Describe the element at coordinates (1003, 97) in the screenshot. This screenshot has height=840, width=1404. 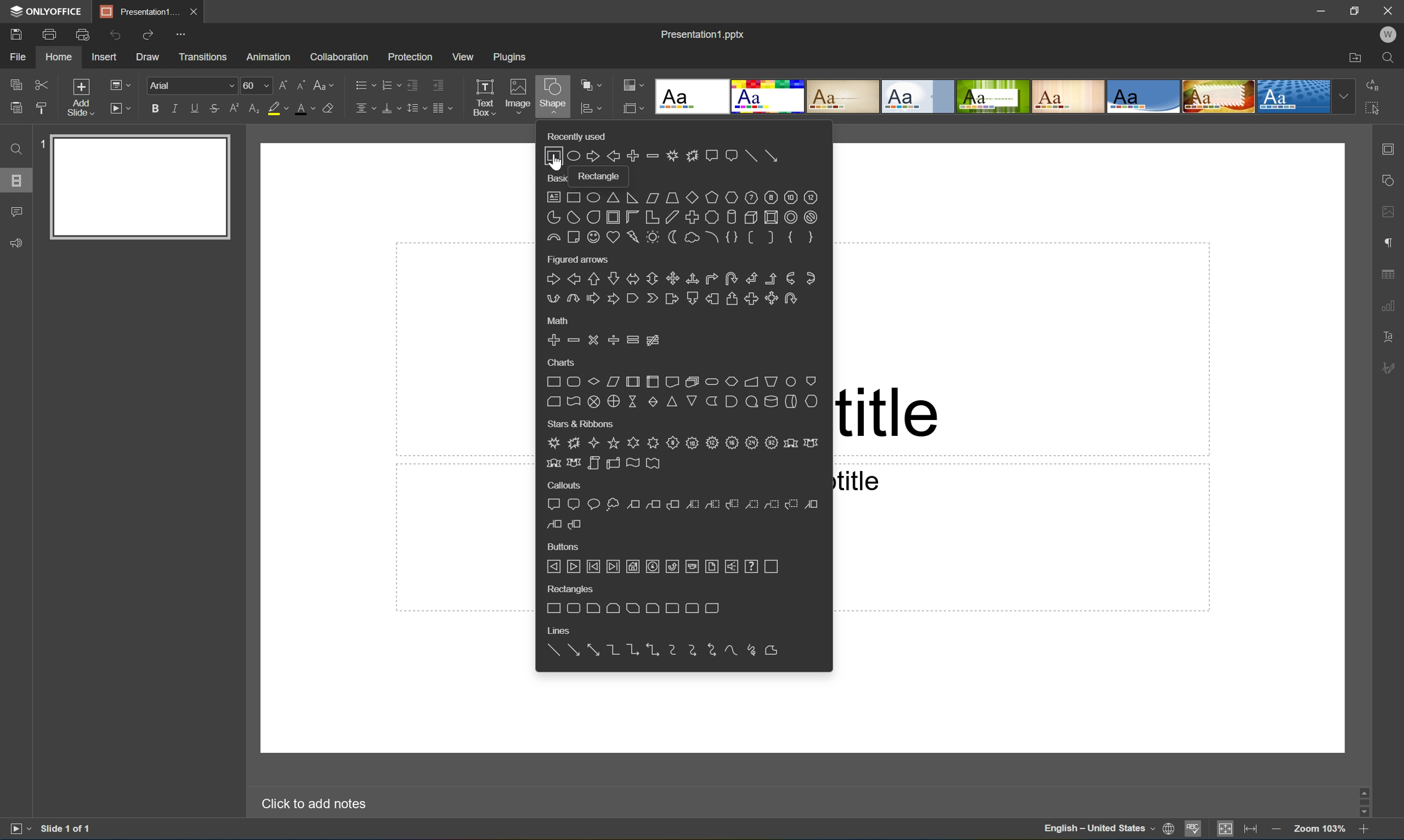
I see `Type of slides` at that location.